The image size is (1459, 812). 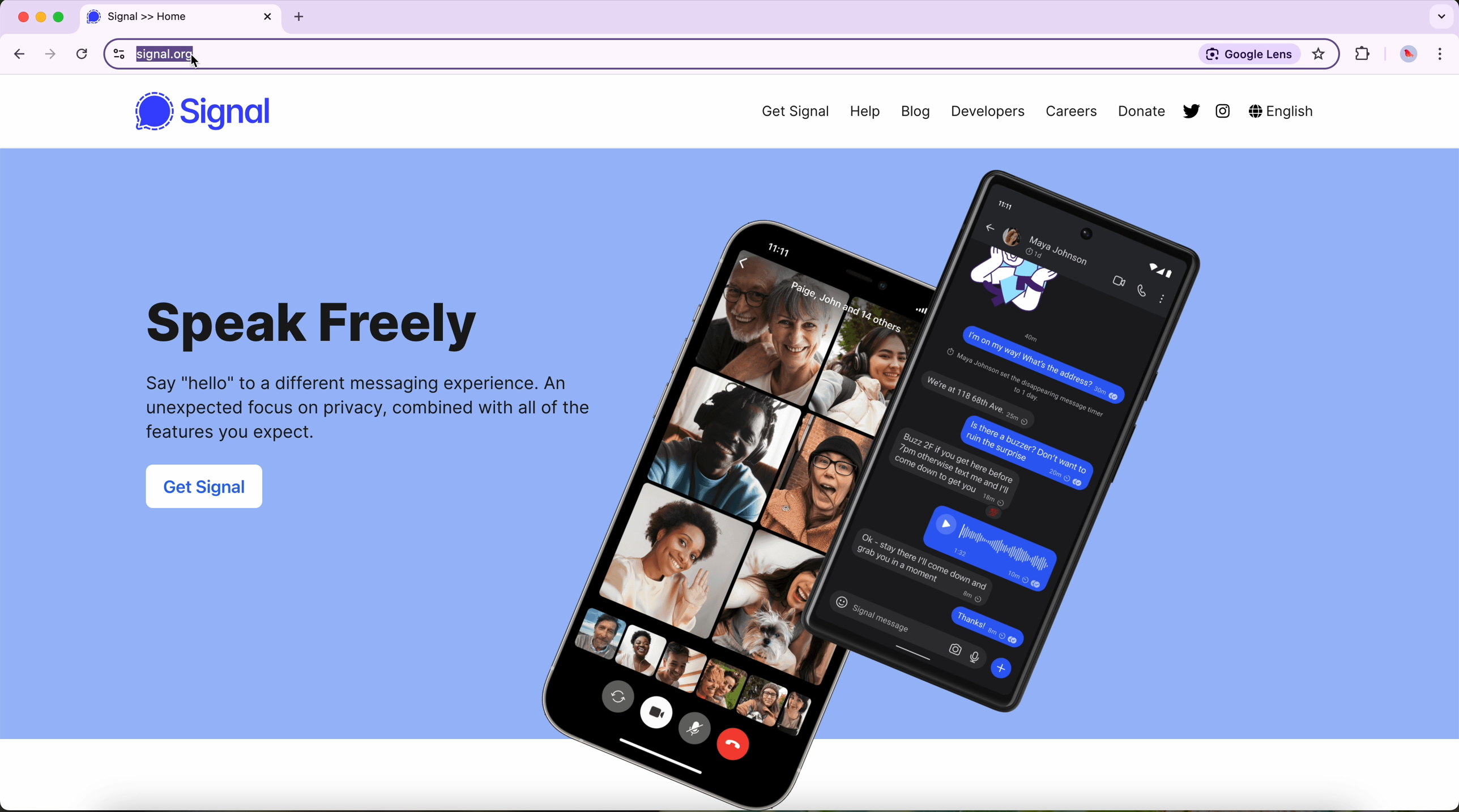 I want to click on extensions, so click(x=1363, y=54).